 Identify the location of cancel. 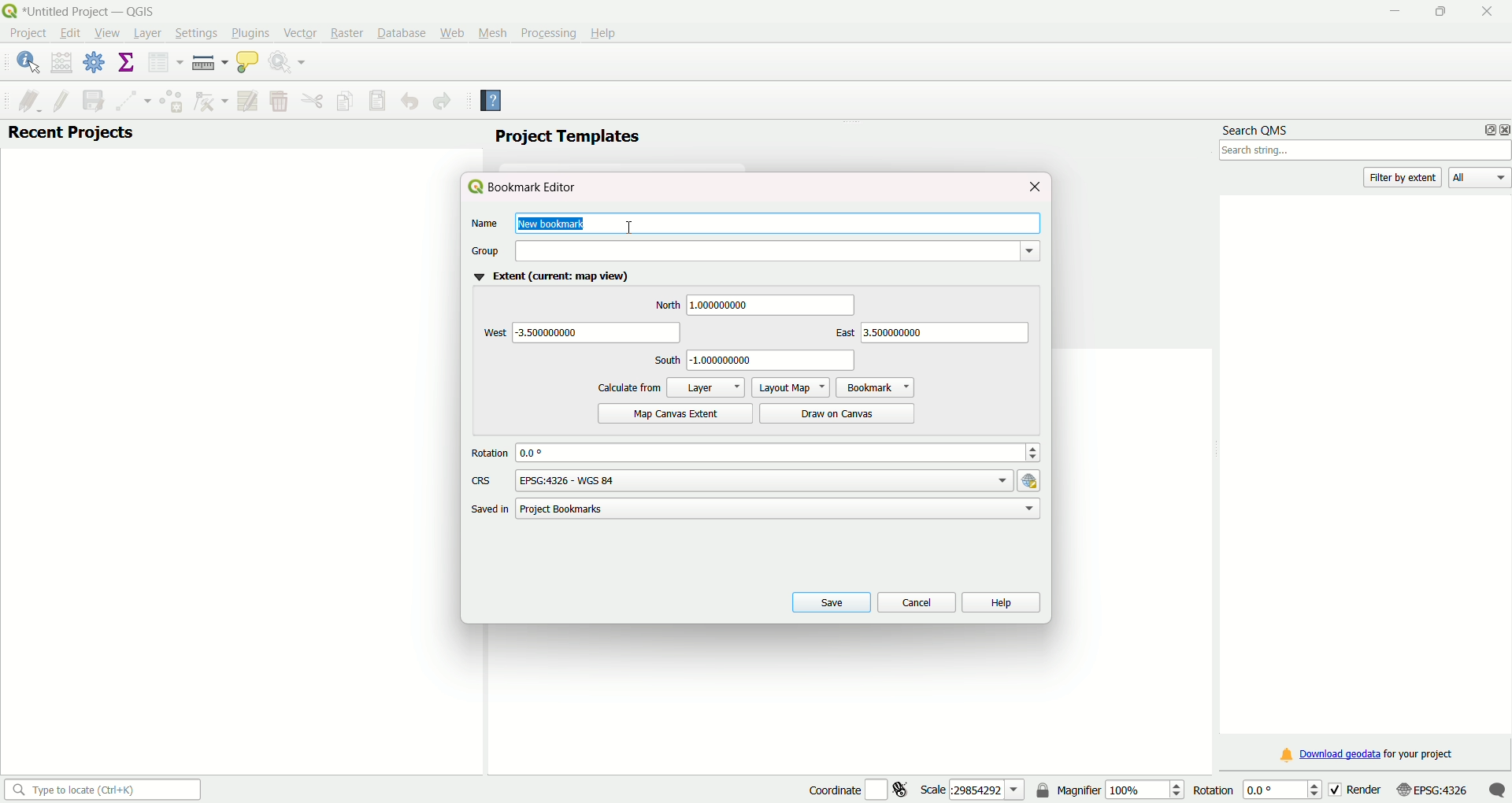
(915, 601).